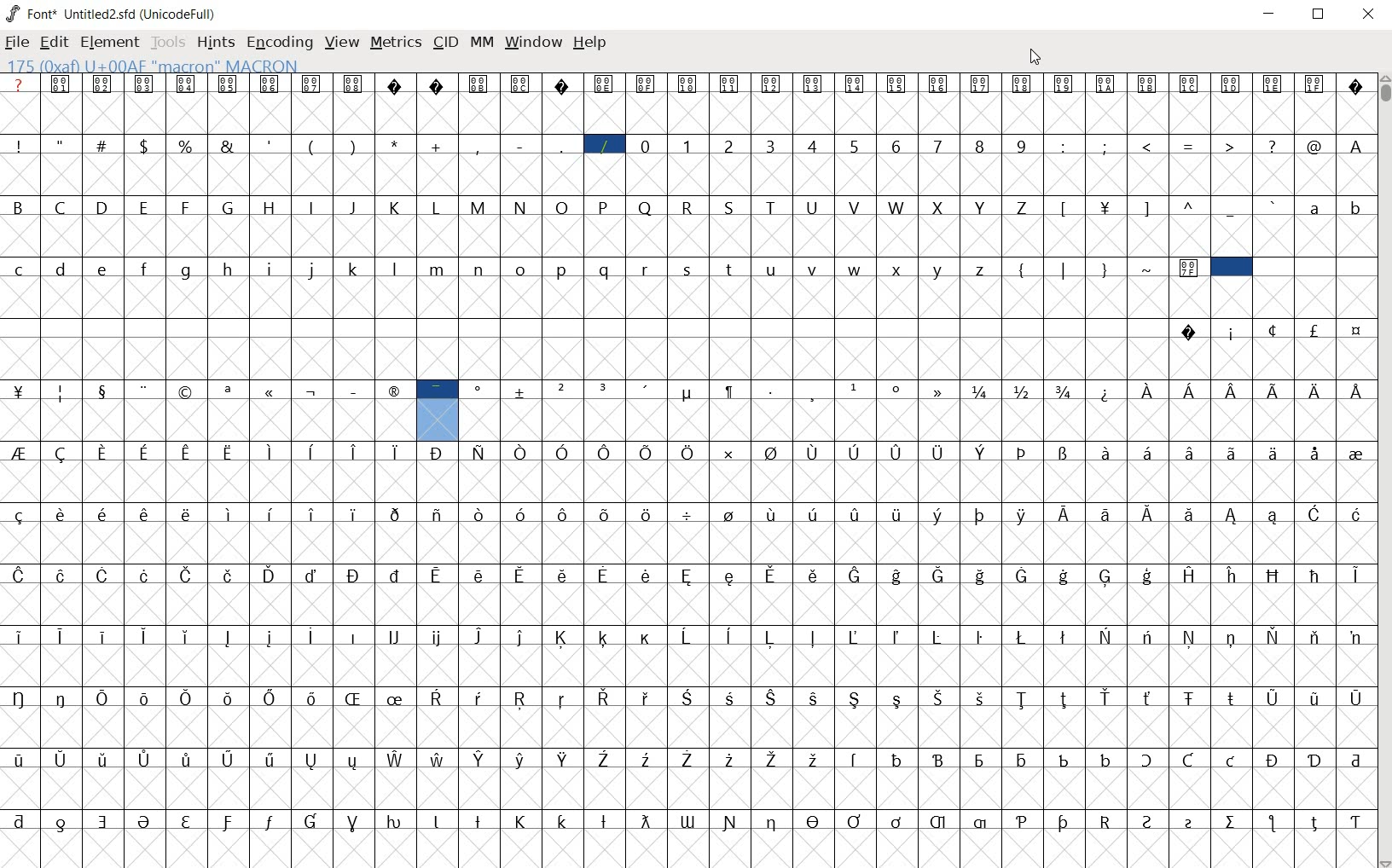  Describe the element at coordinates (111, 44) in the screenshot. I see `ELEMENT` at that location.